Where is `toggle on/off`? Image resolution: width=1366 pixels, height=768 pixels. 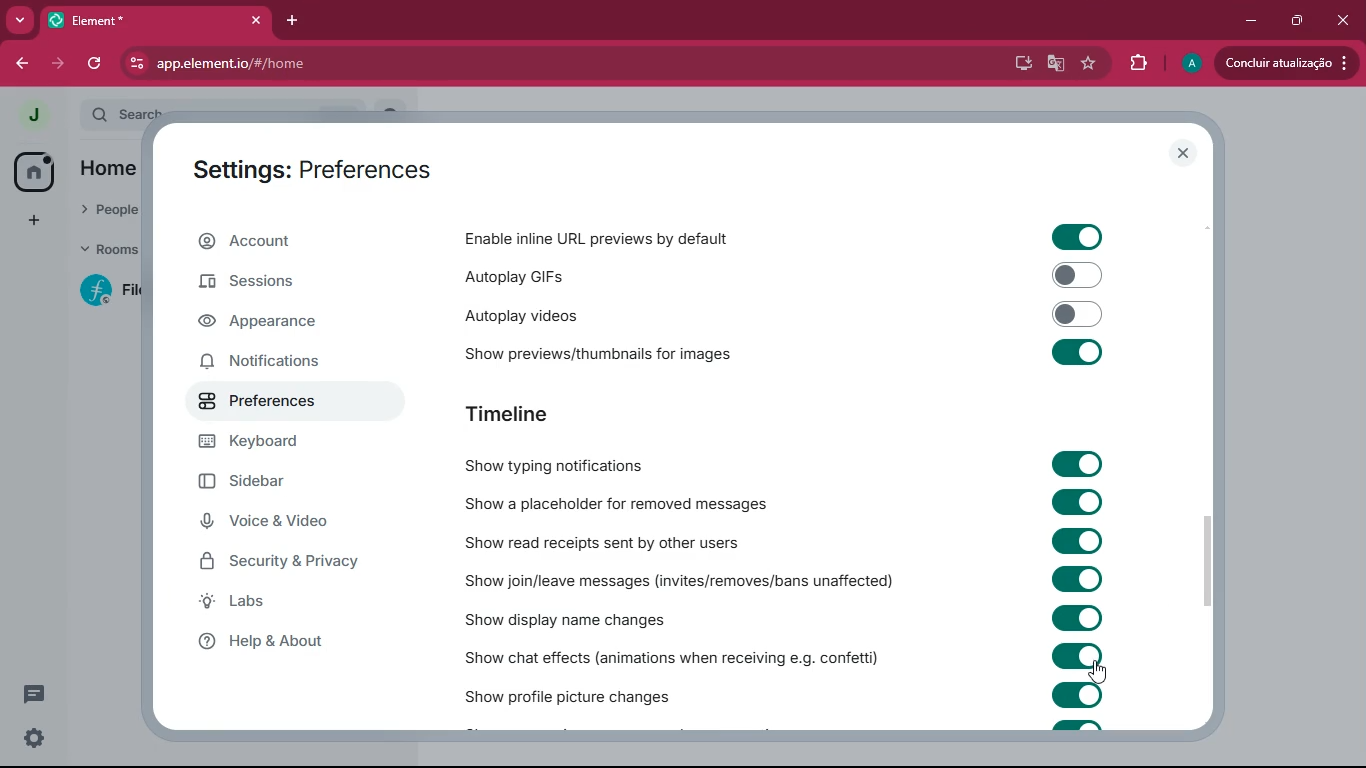
toggle on/off is located at coordinates (1077, 695).